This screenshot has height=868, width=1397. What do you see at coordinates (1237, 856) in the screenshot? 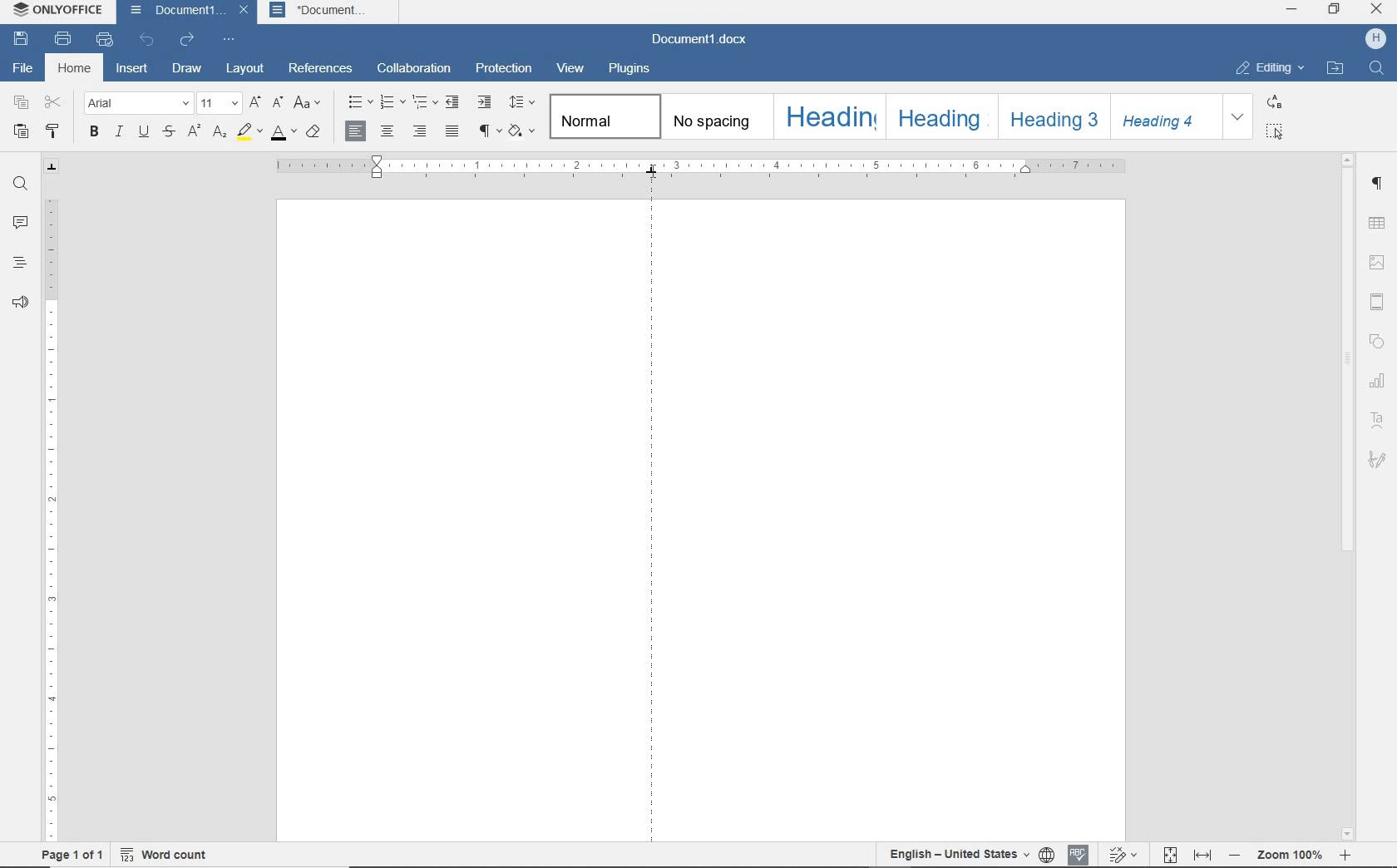
I see `zoom out` at bounding box center [1237, 856].